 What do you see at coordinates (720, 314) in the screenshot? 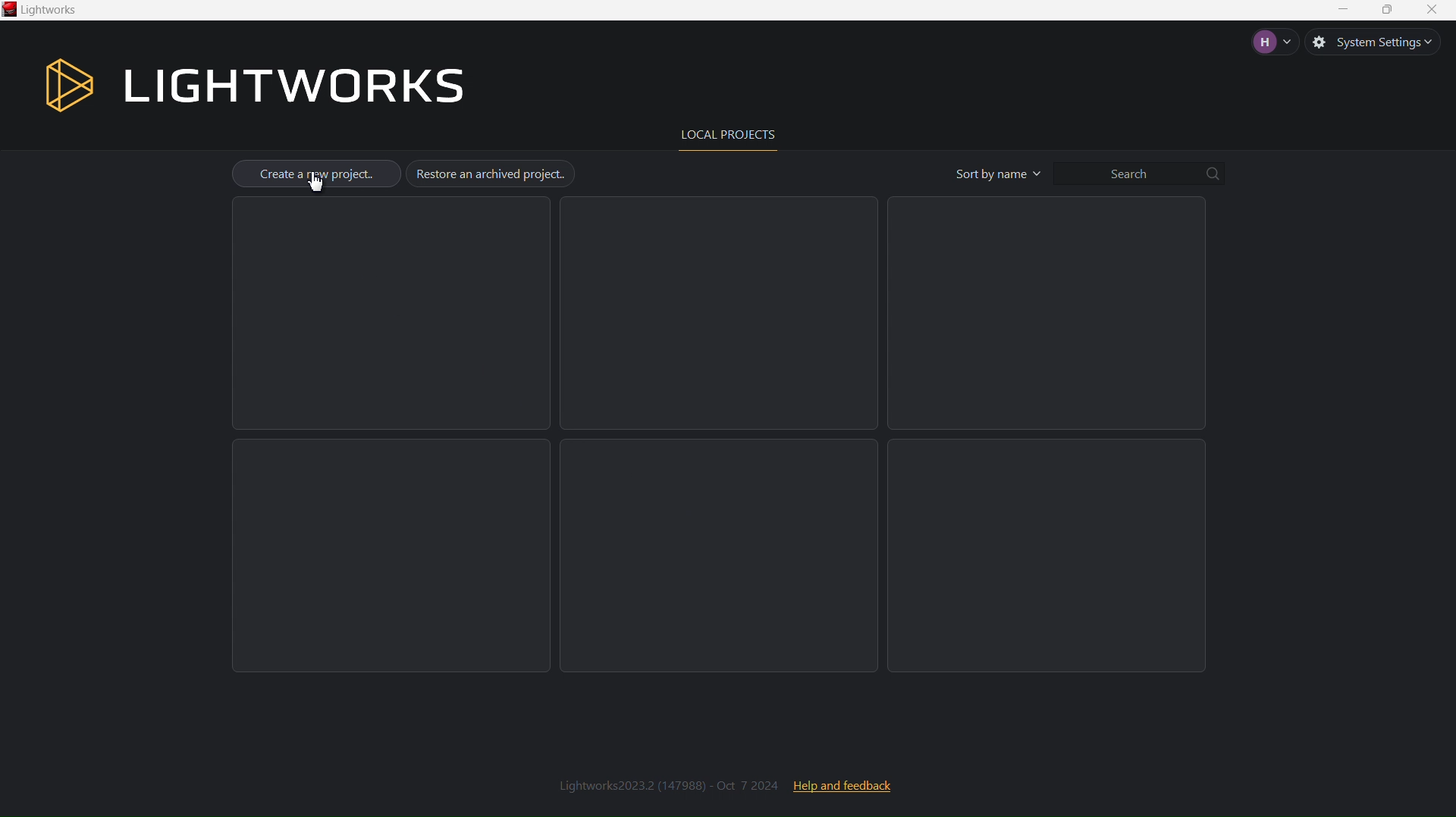
I see `Empty Project` at bounding box center [720, 314].